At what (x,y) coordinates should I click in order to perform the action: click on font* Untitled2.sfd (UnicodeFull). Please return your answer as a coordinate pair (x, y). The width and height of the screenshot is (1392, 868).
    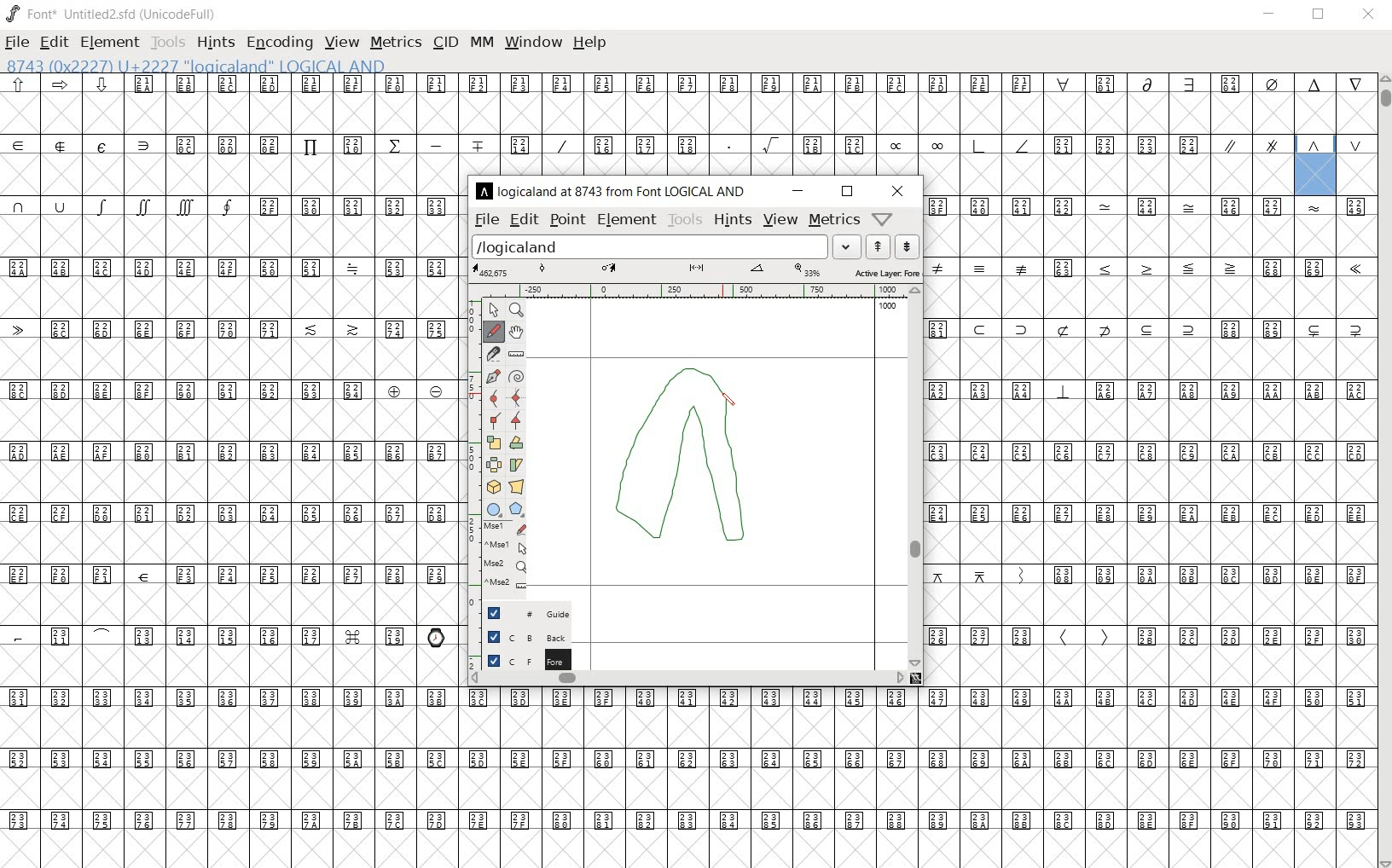
    Looking at the image, I should click on (113, 14).